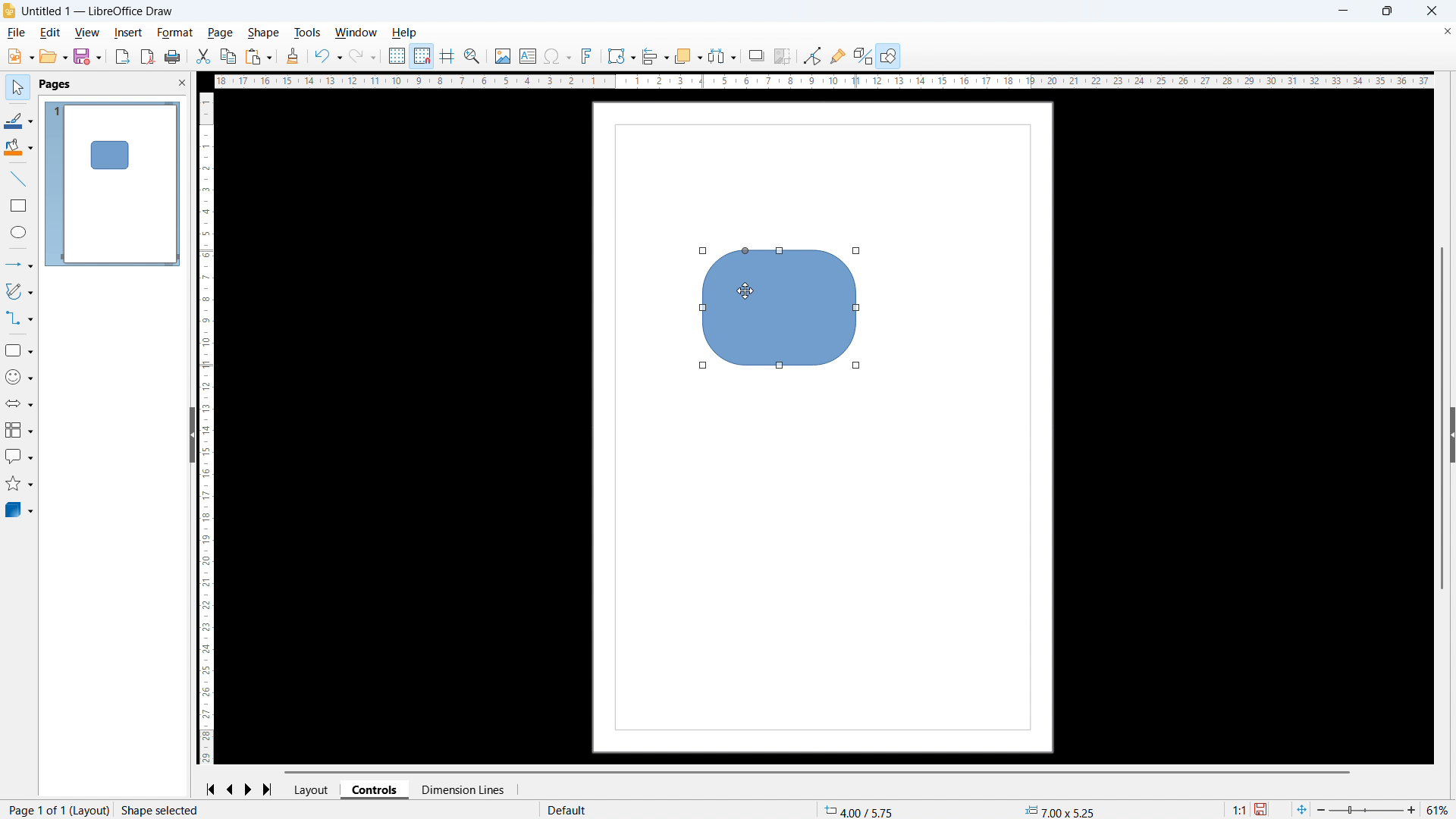 Image resolution: width=1456 pixels, height=819 pixels. Describe the element at coordinates (813, 55) in the screenshot. I see `toggle point edit mode` at that location.